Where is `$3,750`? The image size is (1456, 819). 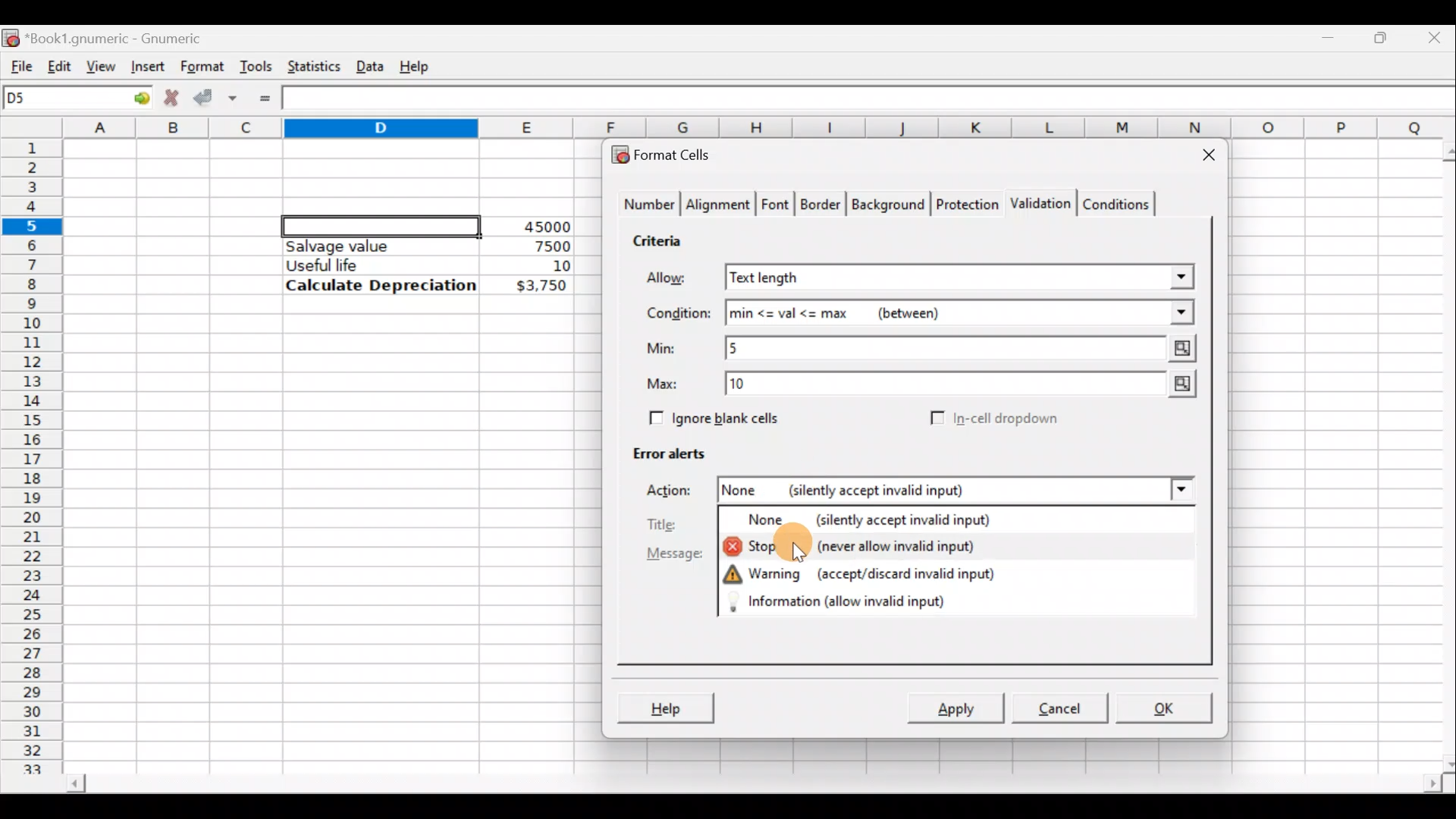 $3,750 is located at coordinates (540, 287).